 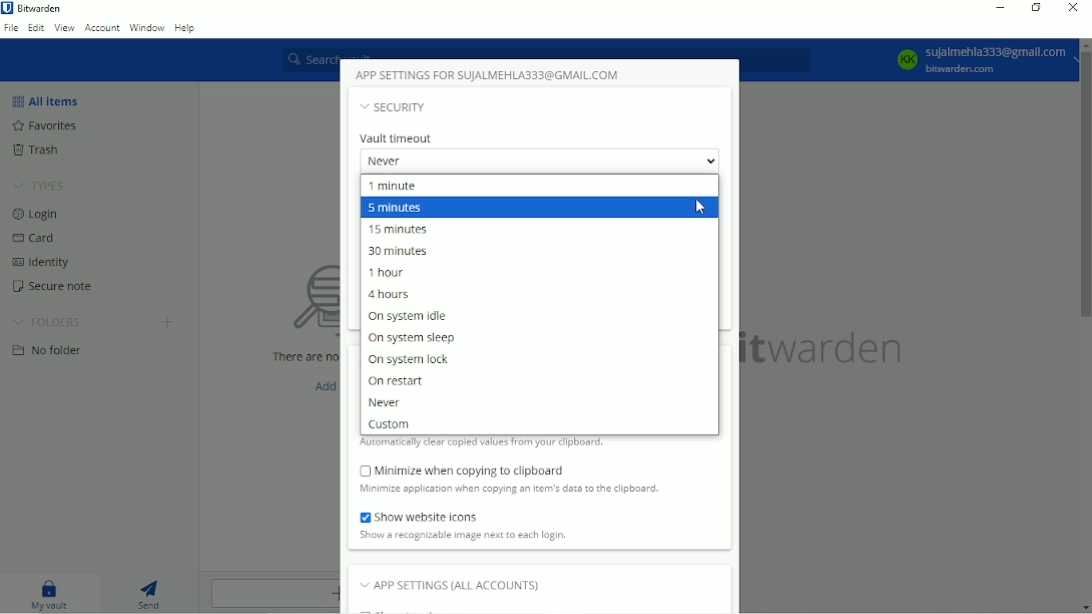 I want to click on Automatically clear clipboard values from your clipboard., so click(x=484, y=444).